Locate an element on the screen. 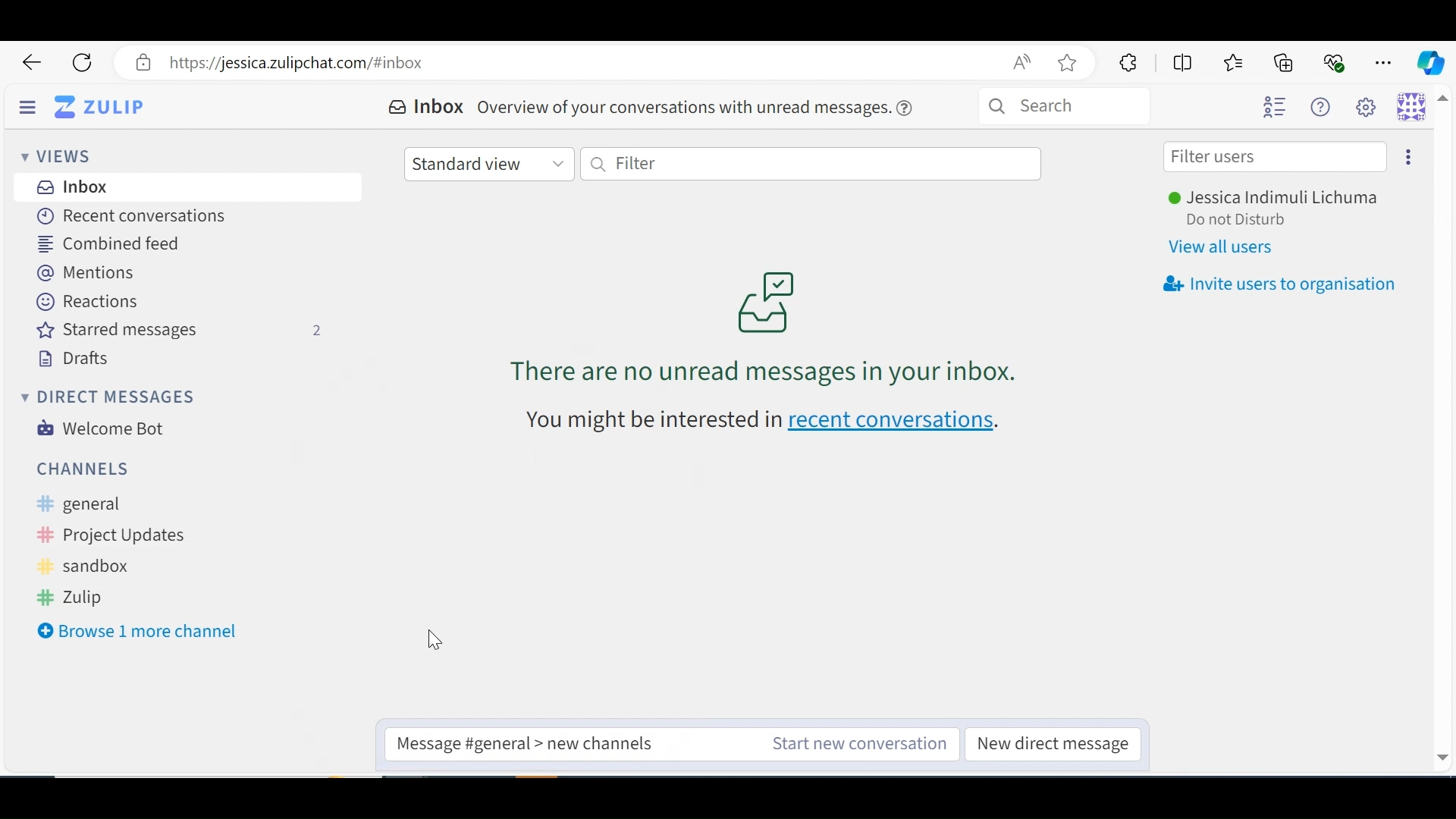  Sandbox is located at coordinates (117, 566).